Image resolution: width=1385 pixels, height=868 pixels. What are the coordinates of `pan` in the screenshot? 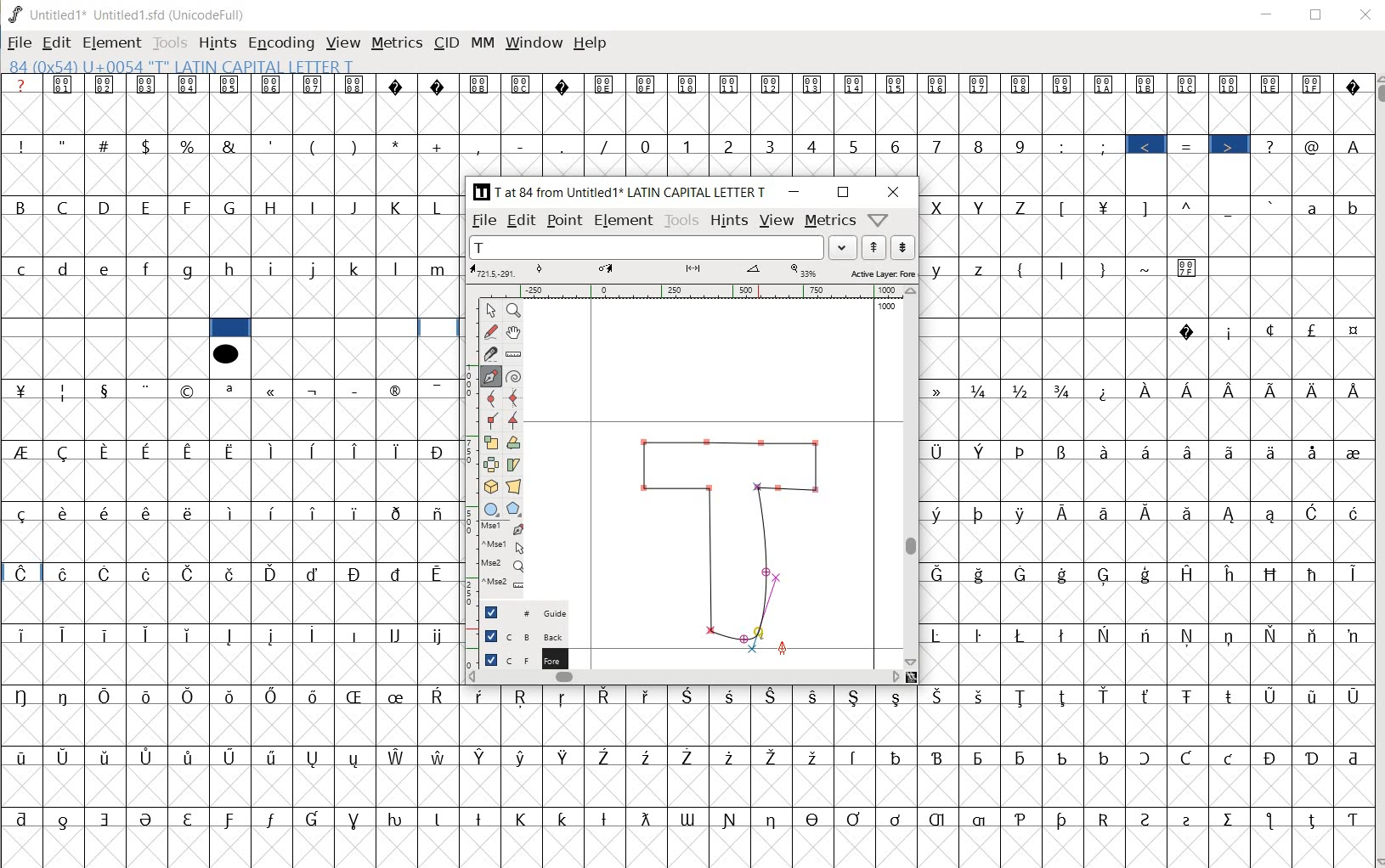 It's located at (516, 330).